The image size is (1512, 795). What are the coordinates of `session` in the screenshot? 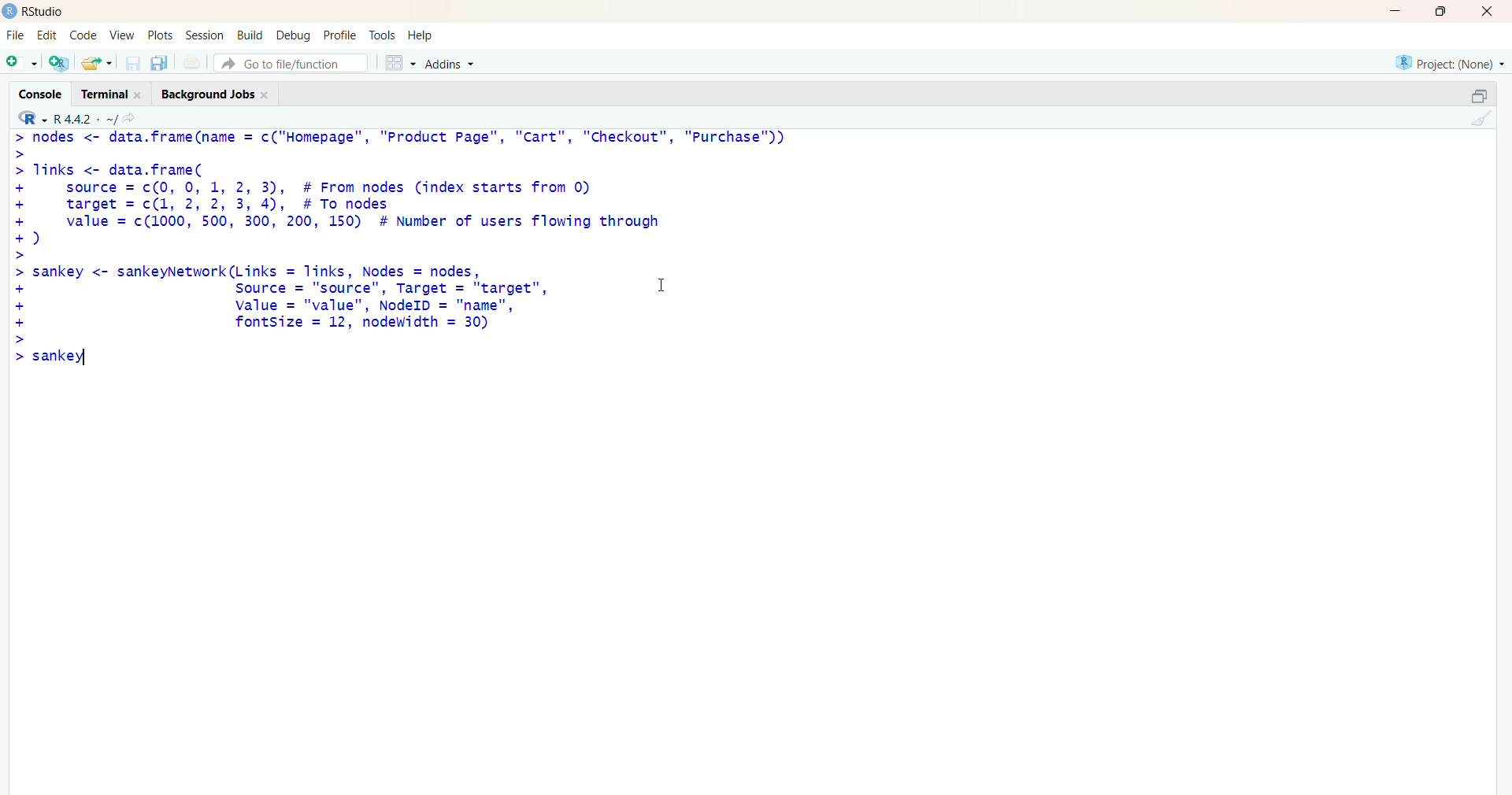 It's located at (202, 36).